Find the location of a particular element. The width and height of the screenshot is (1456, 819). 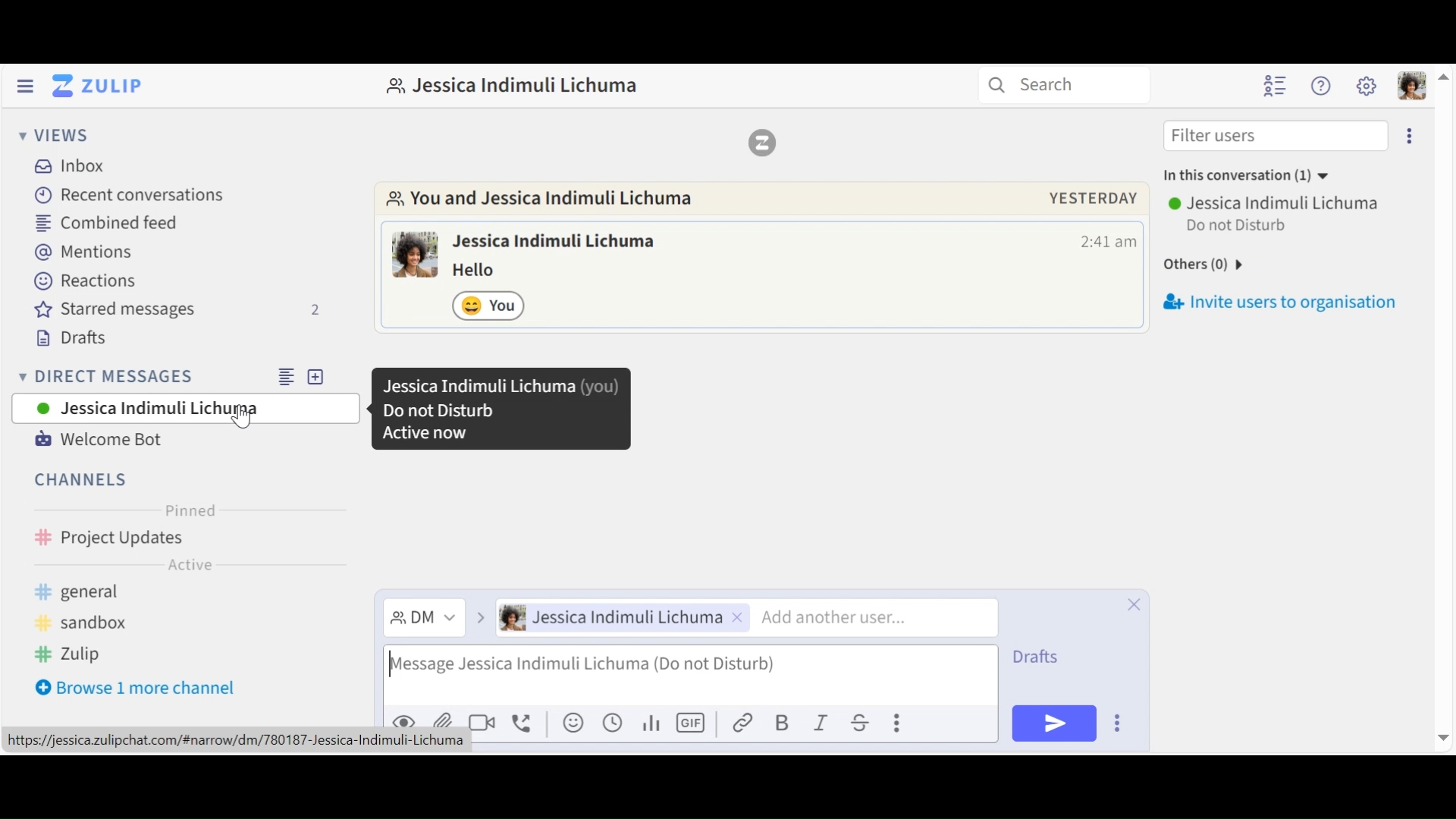

Drafts is located at coordinates (1049, 654).